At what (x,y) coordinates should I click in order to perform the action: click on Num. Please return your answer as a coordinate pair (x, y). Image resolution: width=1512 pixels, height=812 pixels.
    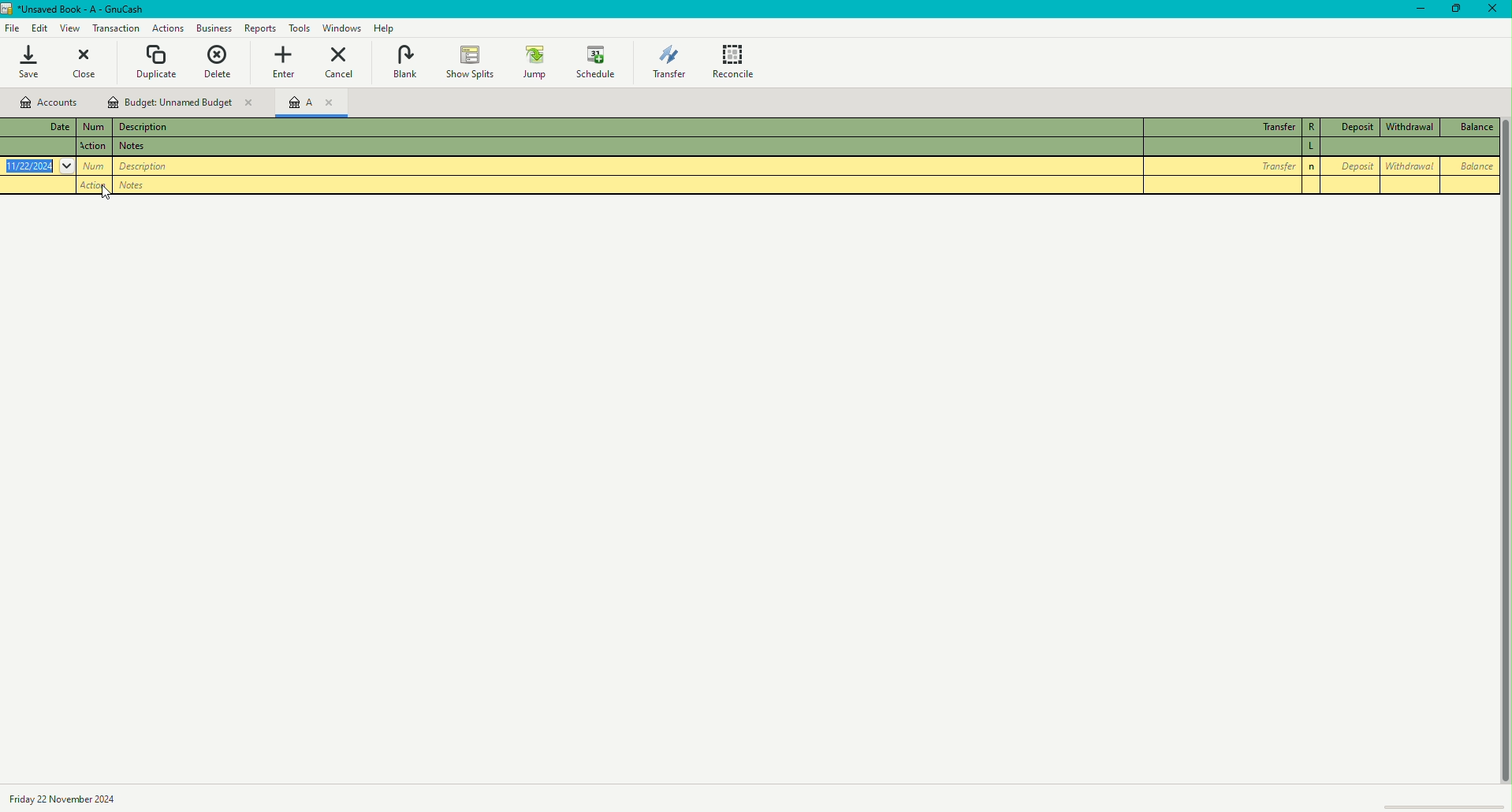
    Looking at the image, I should click on (96, 147).